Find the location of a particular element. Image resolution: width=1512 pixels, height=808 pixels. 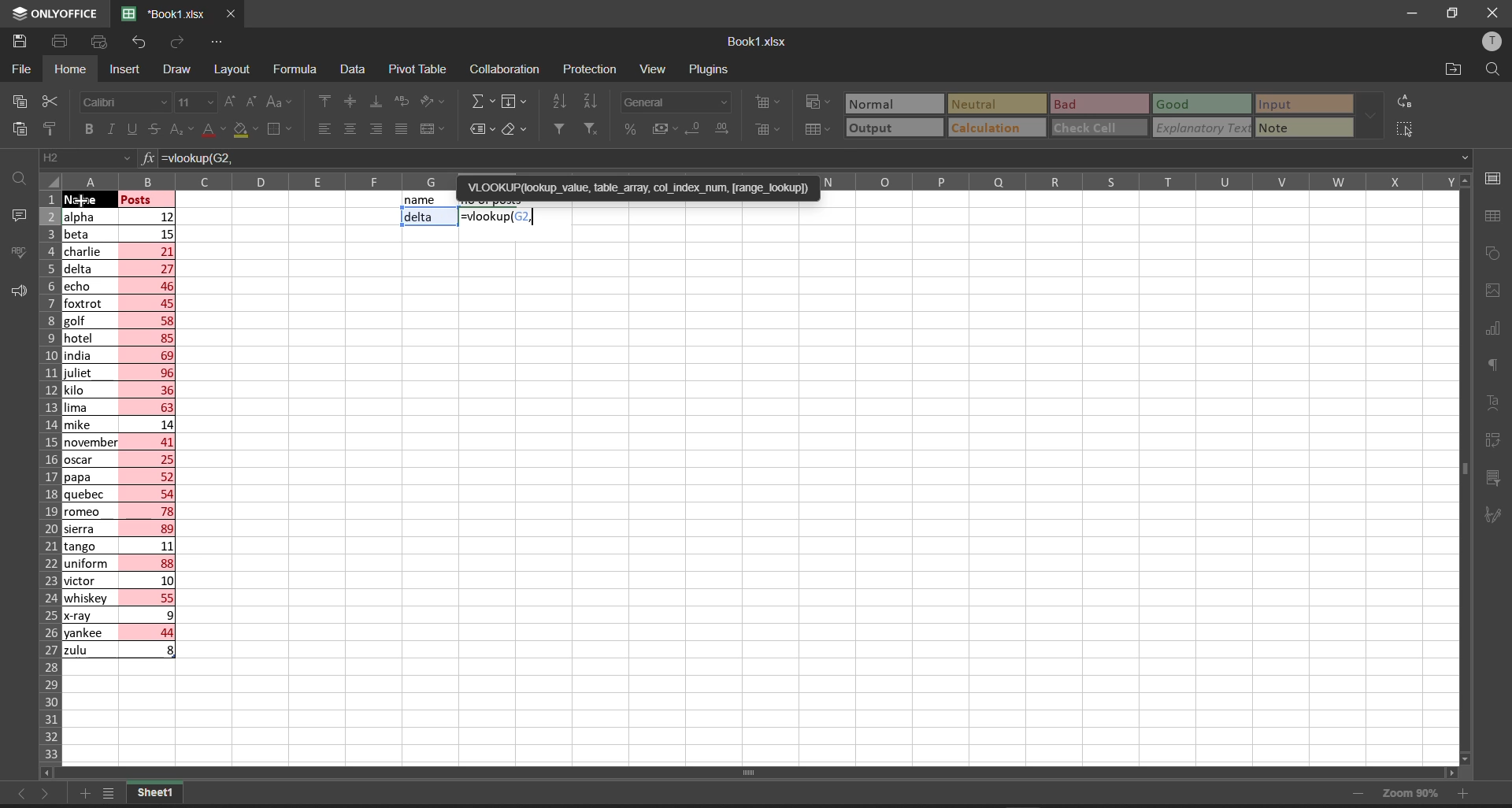

subscript\superscript is located at coordinates (180, 127).